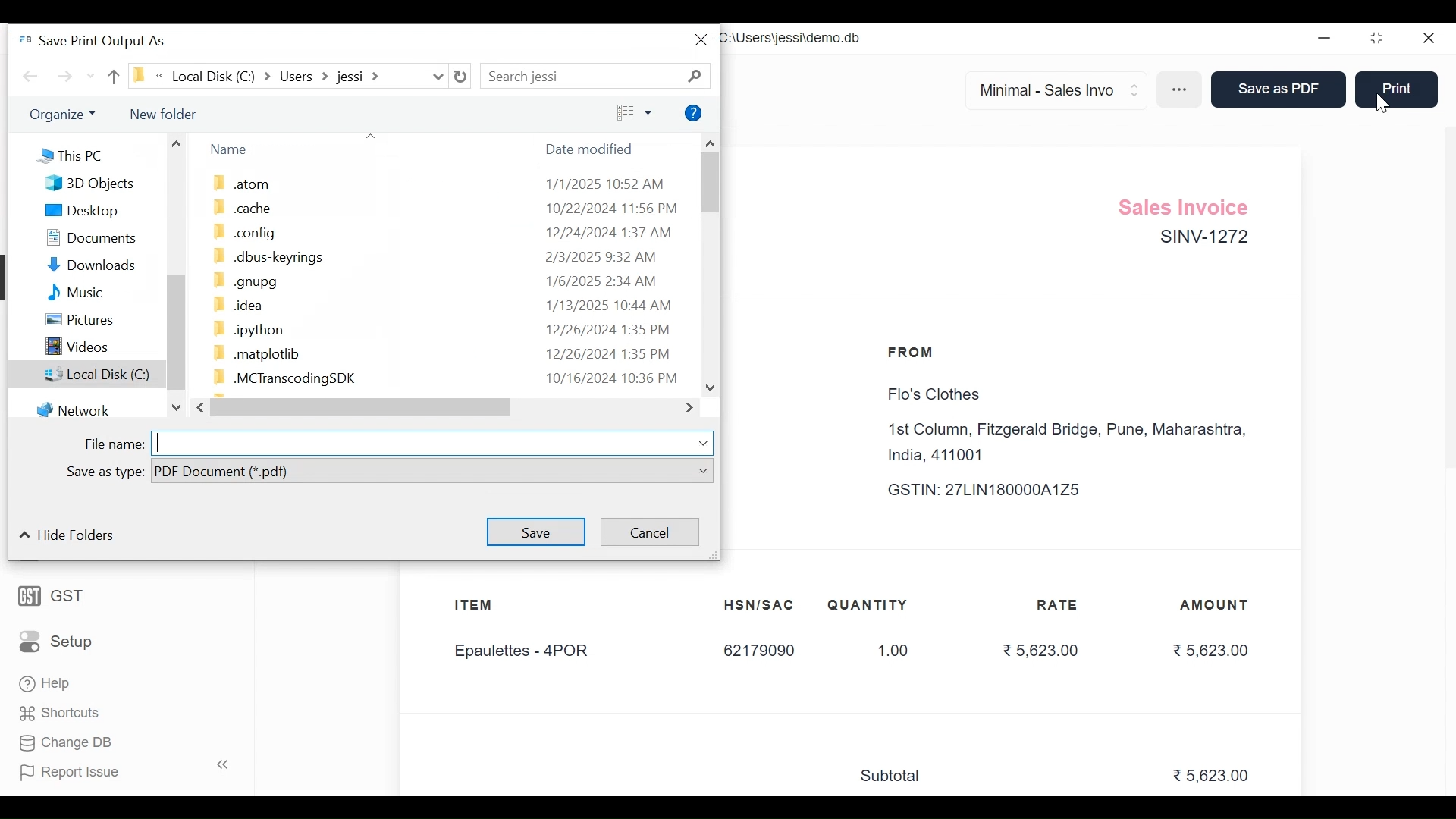 This screenshot has width=1456, height=819. Describe the element at coordinates (538, 533) in the screenshot. I see `Save` at that location.